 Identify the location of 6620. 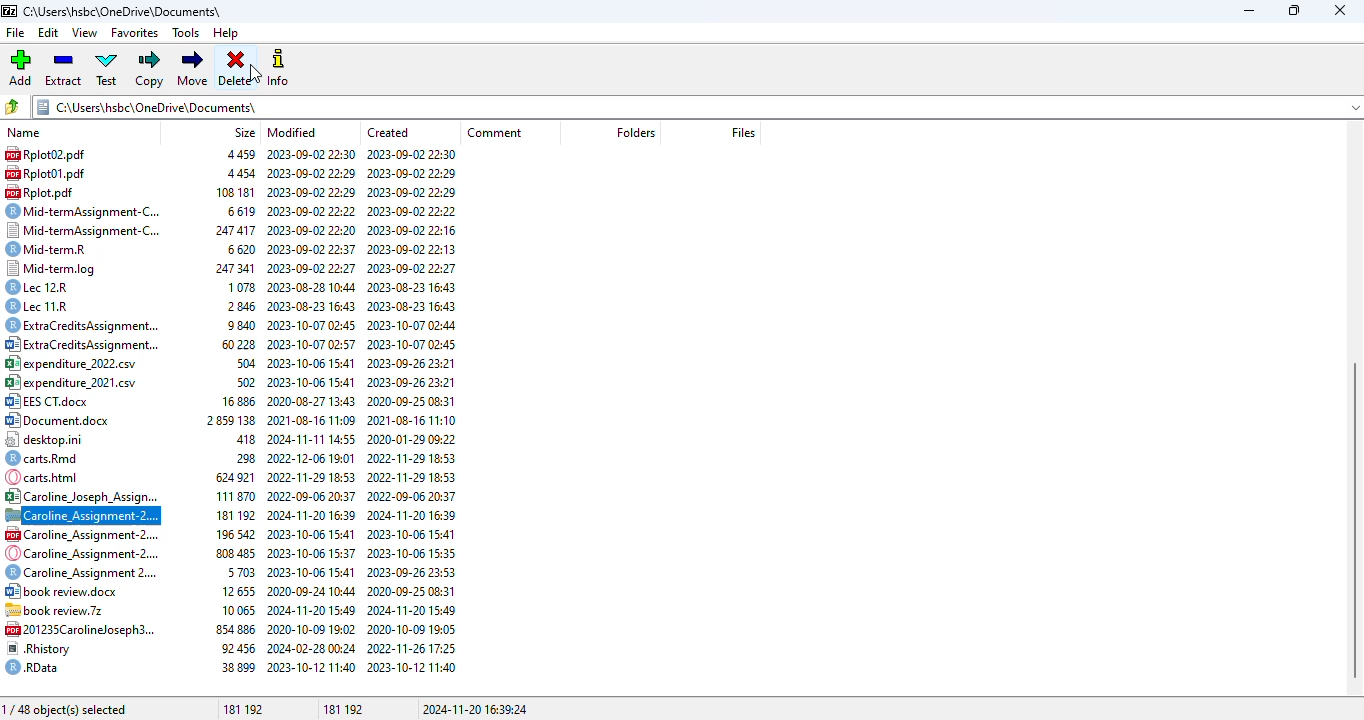
(241, 248).